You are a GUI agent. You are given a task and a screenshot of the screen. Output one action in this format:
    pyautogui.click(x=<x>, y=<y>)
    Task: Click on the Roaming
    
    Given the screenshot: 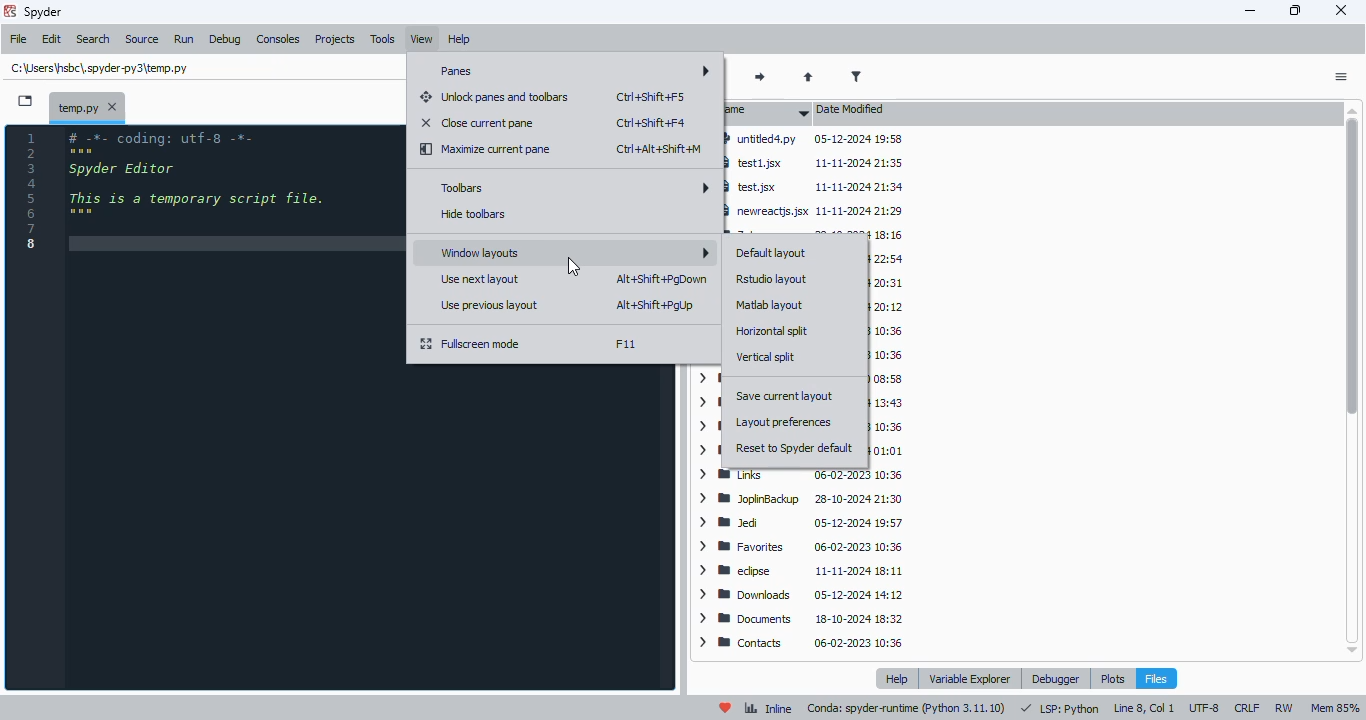 What is the action you would take?
    pyautogui.click(x=885, y=380)
    